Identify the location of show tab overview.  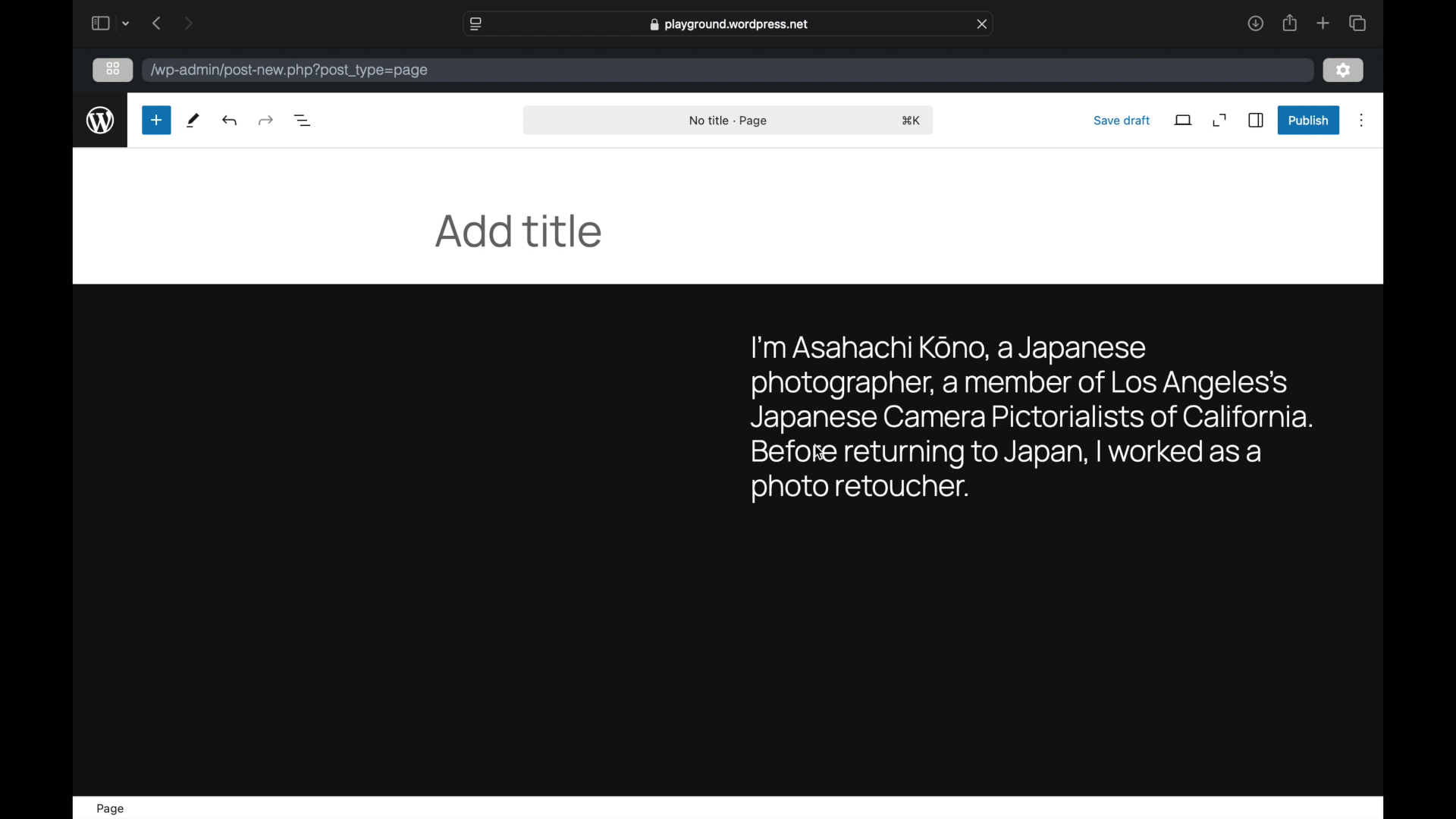
(1357, 24).